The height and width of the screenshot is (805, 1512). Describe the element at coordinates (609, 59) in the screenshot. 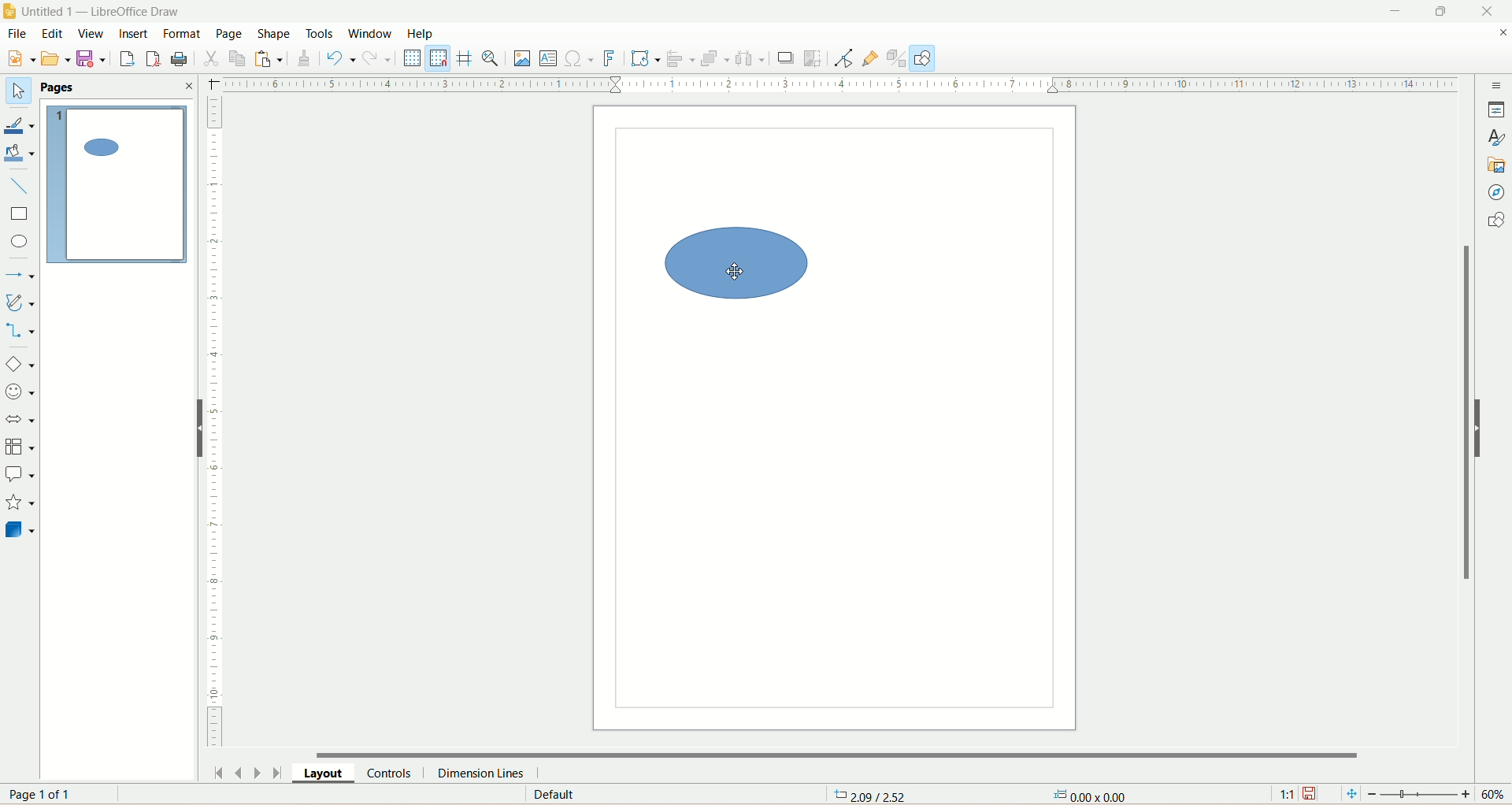

I see `fontwork text` at that location.